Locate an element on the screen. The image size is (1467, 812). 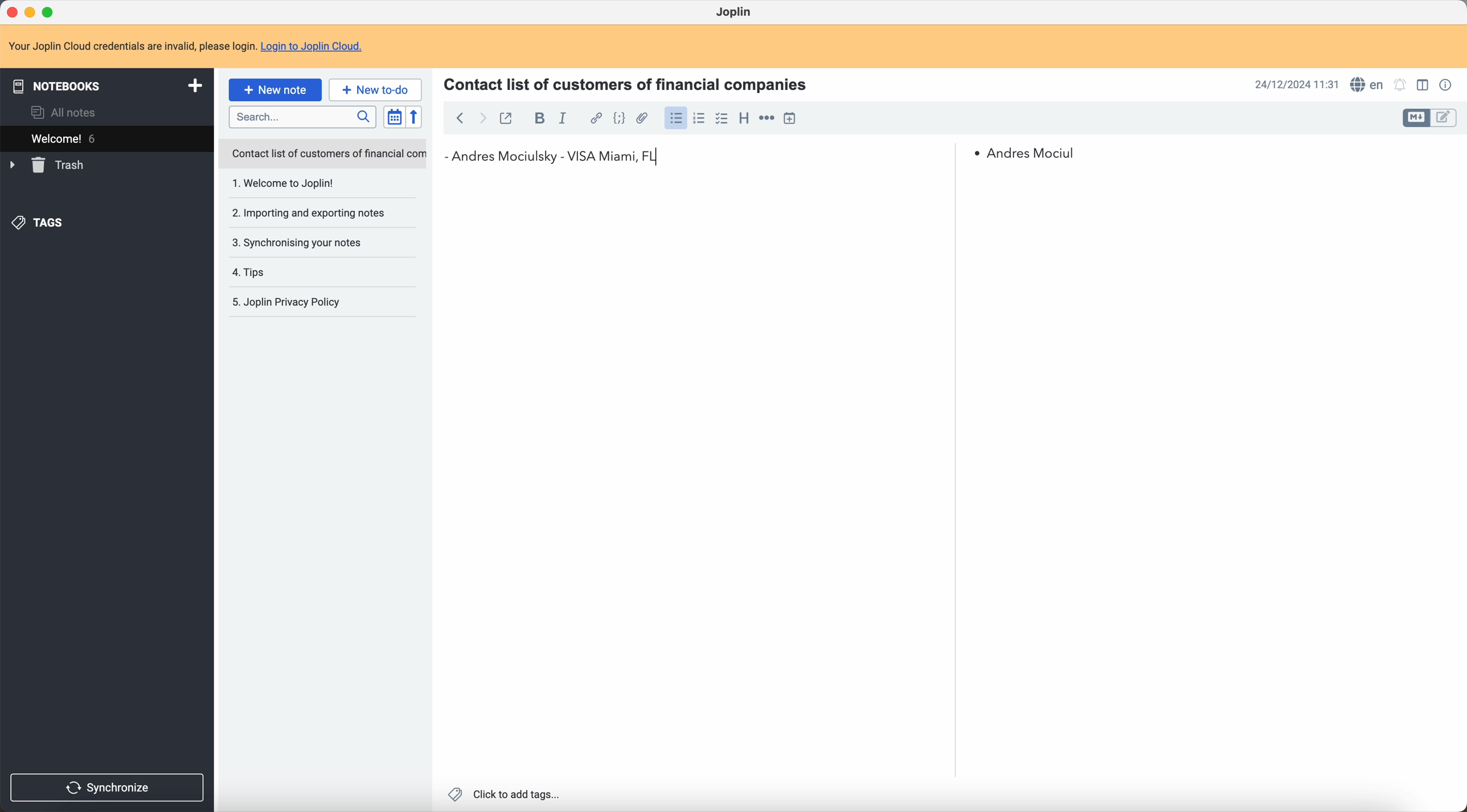
heading is located at coordinates (744, 119).